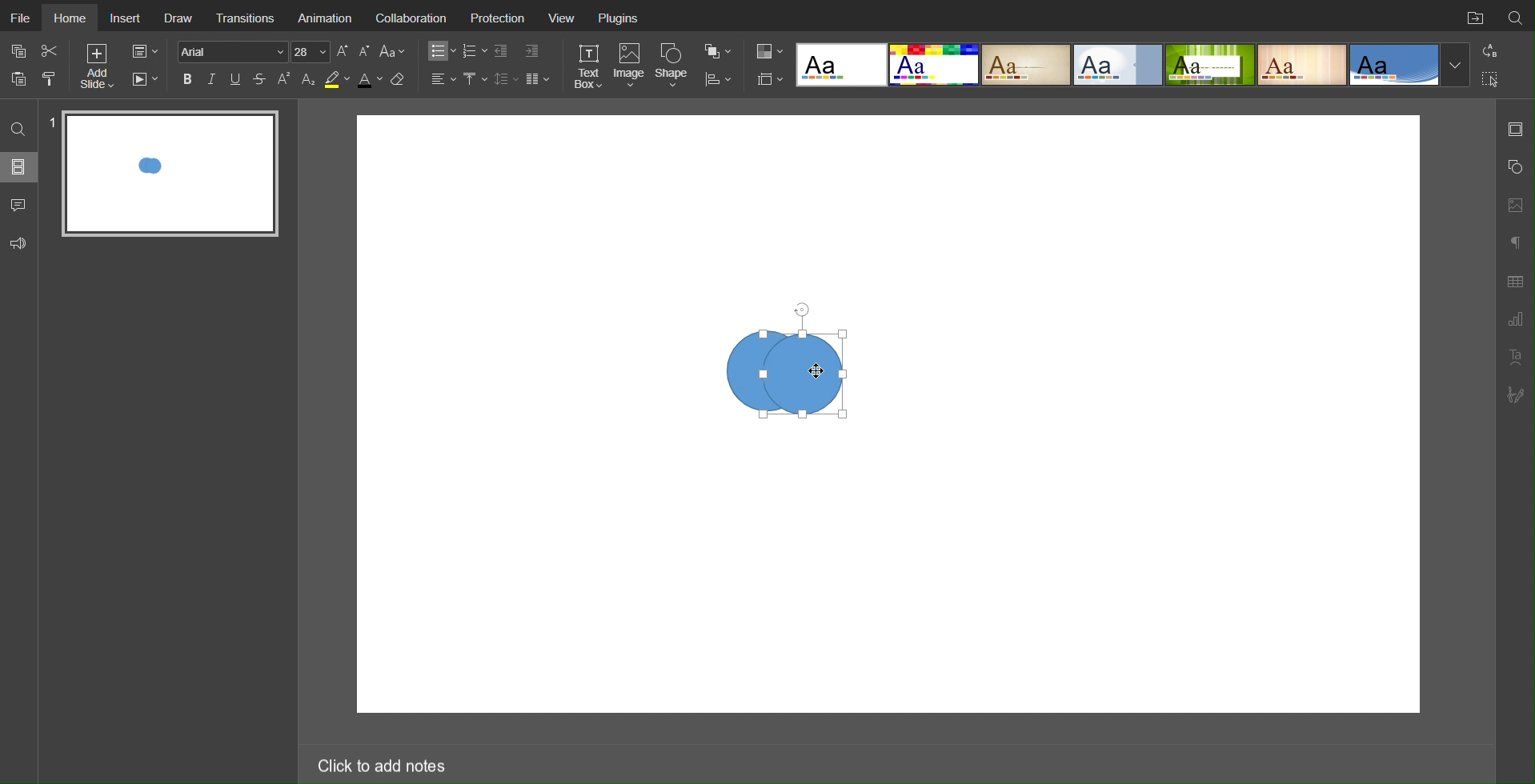 The image size is (1535, 784). I want to click on Underline, so click(237, 79).